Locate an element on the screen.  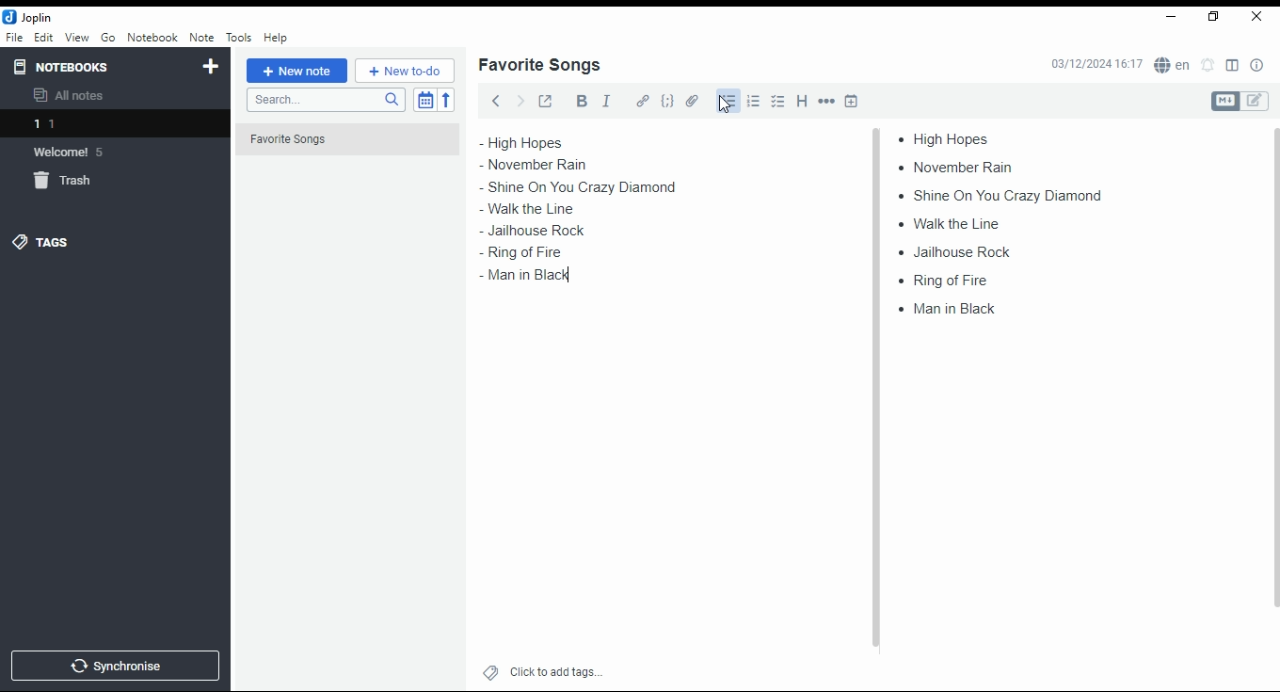
click to add tags is located at coordinates (556, 669).